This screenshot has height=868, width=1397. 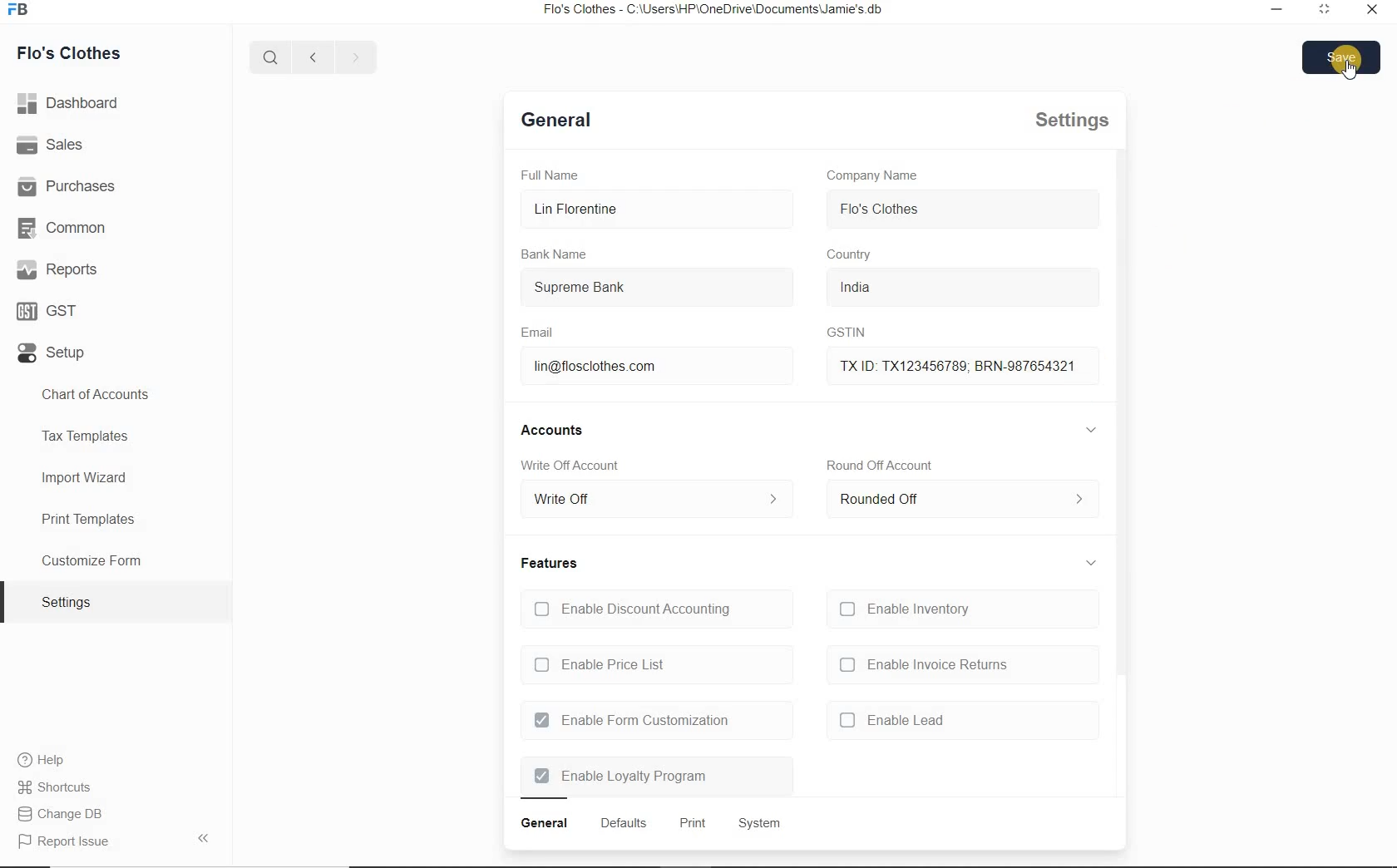 I want to click on GSTIN, so click(x=841, y=333).